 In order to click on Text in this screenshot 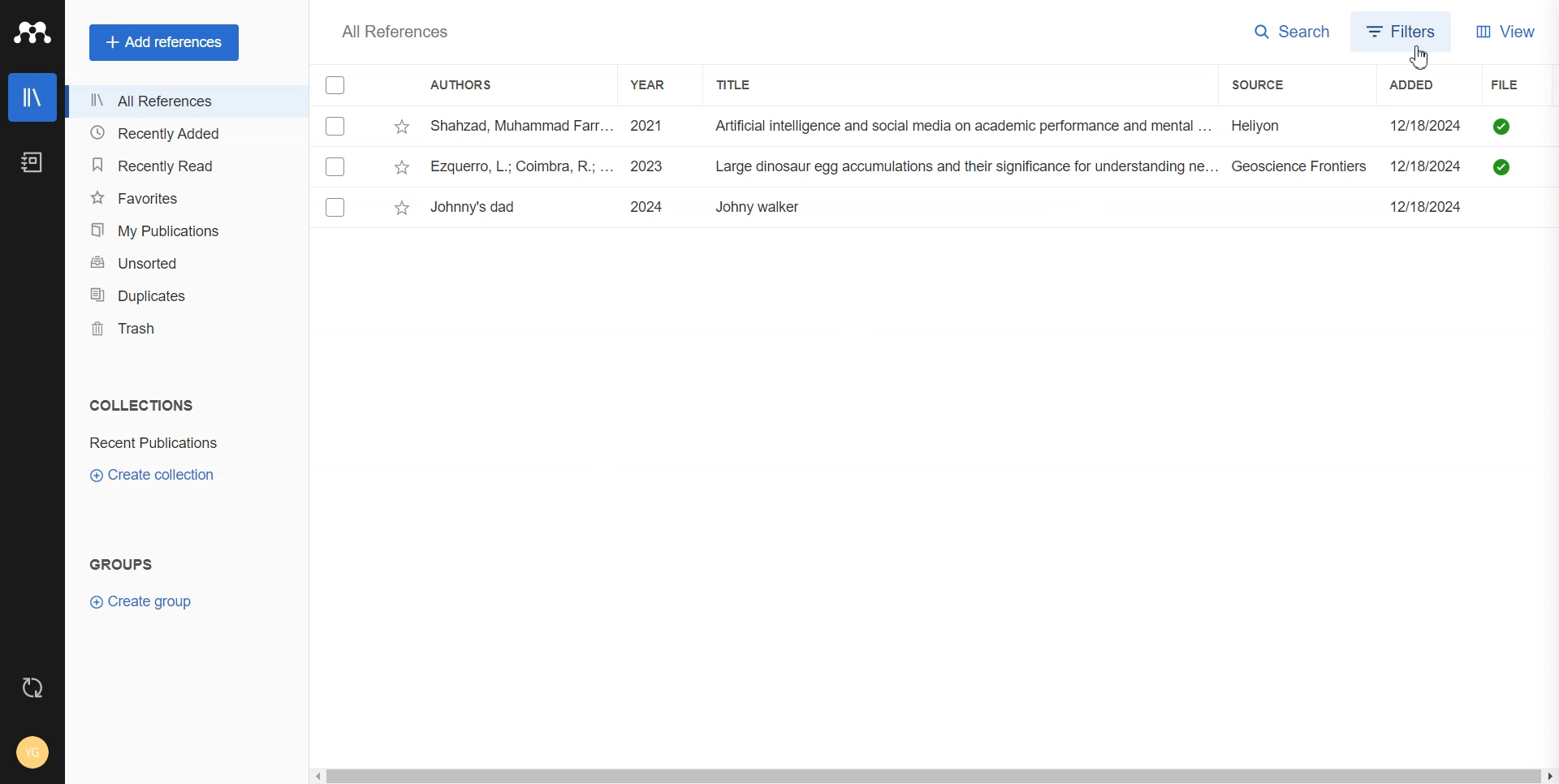, I will do `click(394, 31)`.